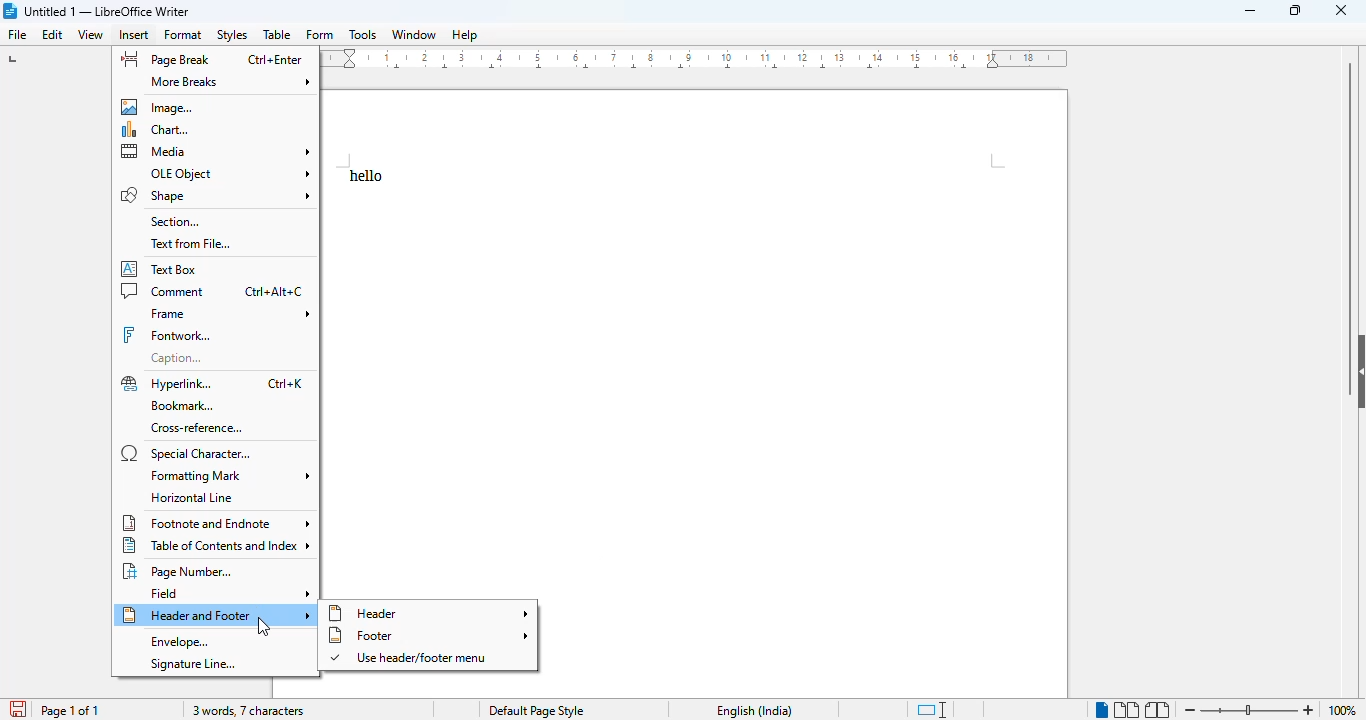 Image resolution: width=1366 pixels, height=720 pixels. What do you see at coordinates (1340, 11) in the screenshot?
I see `close` at bounding box center [1340, 11].